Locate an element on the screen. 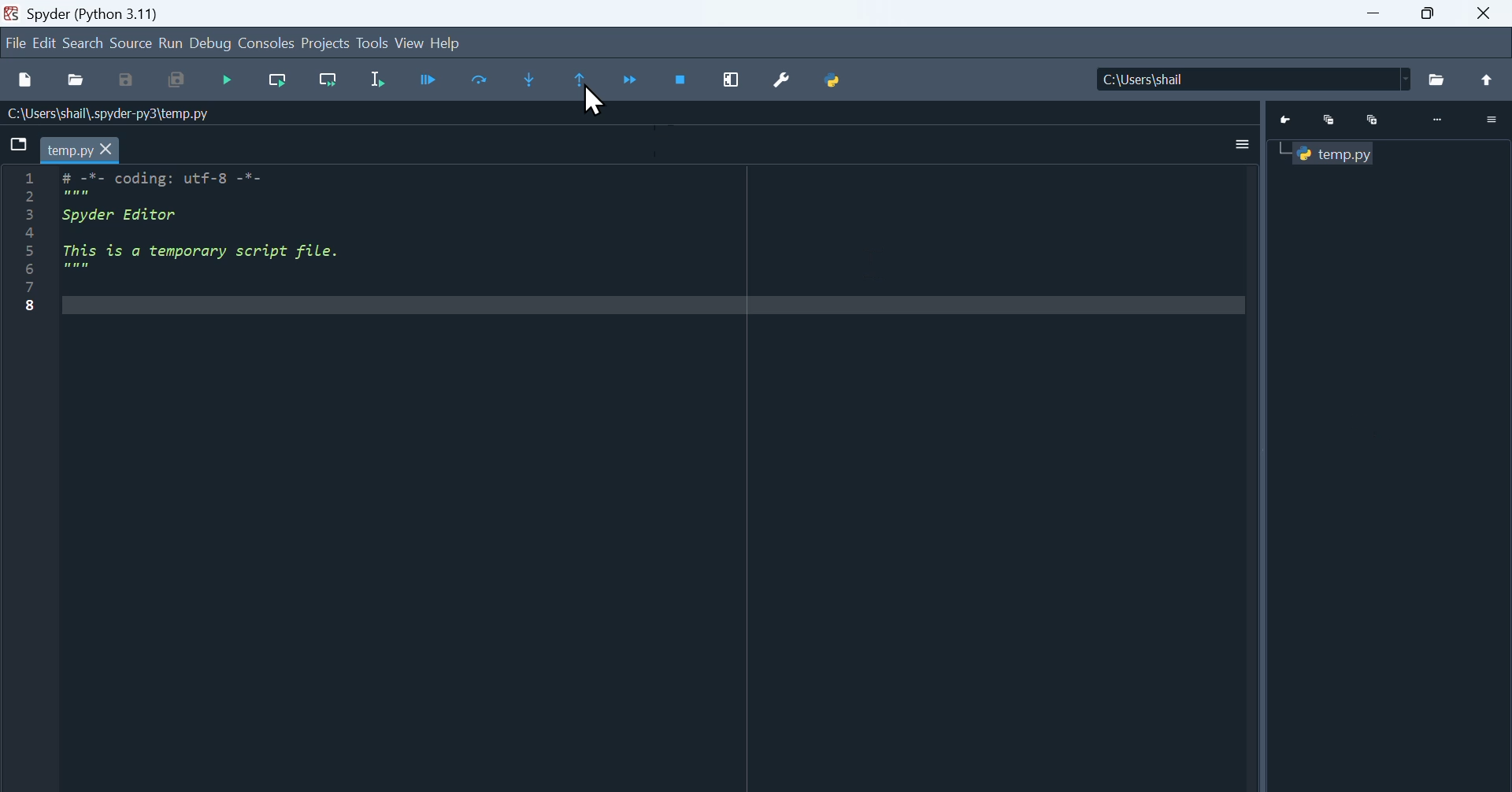  Cursor is located at coordinates (594, 101).